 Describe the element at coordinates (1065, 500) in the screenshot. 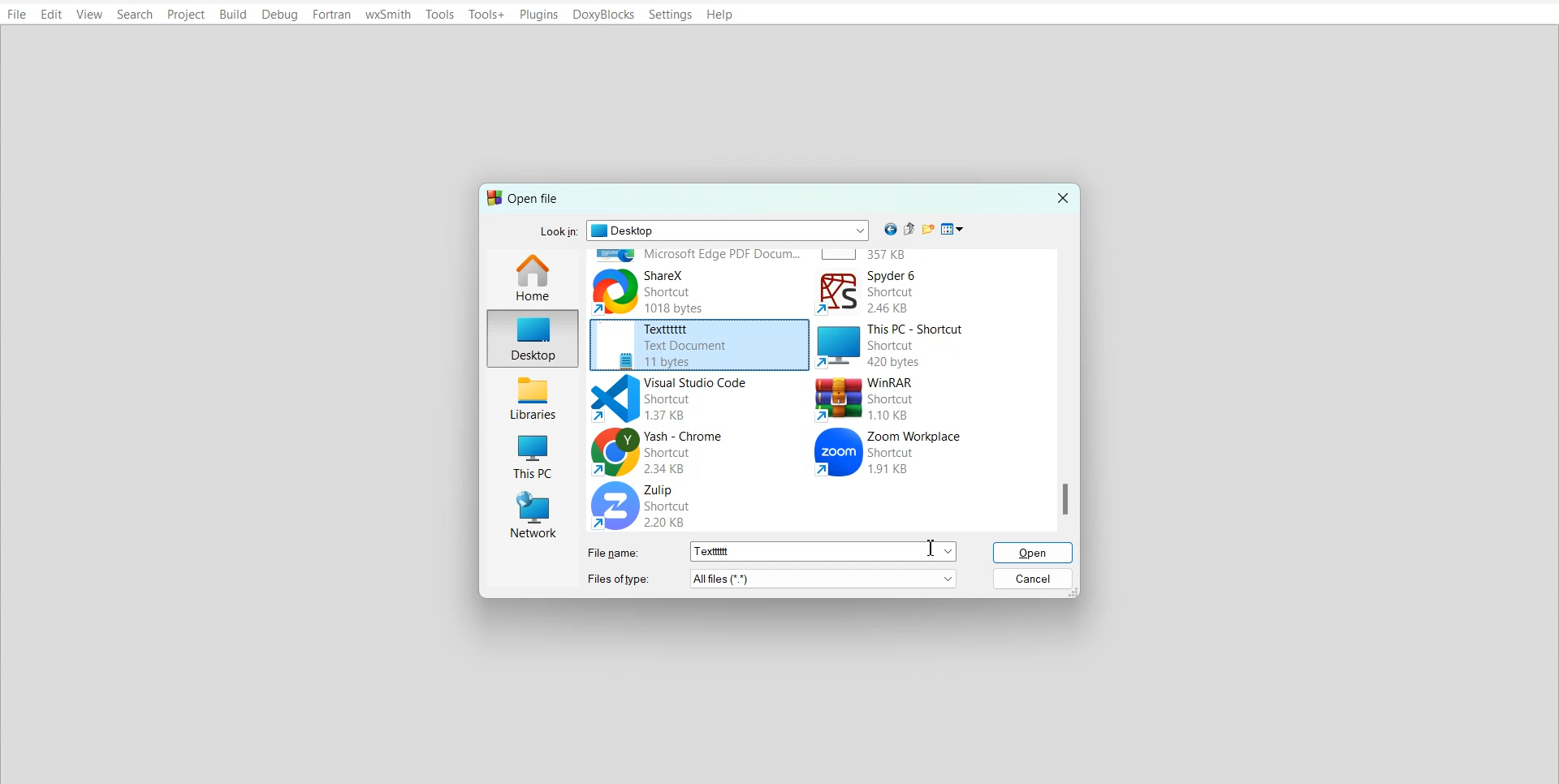

I see `scroll down` at that location.